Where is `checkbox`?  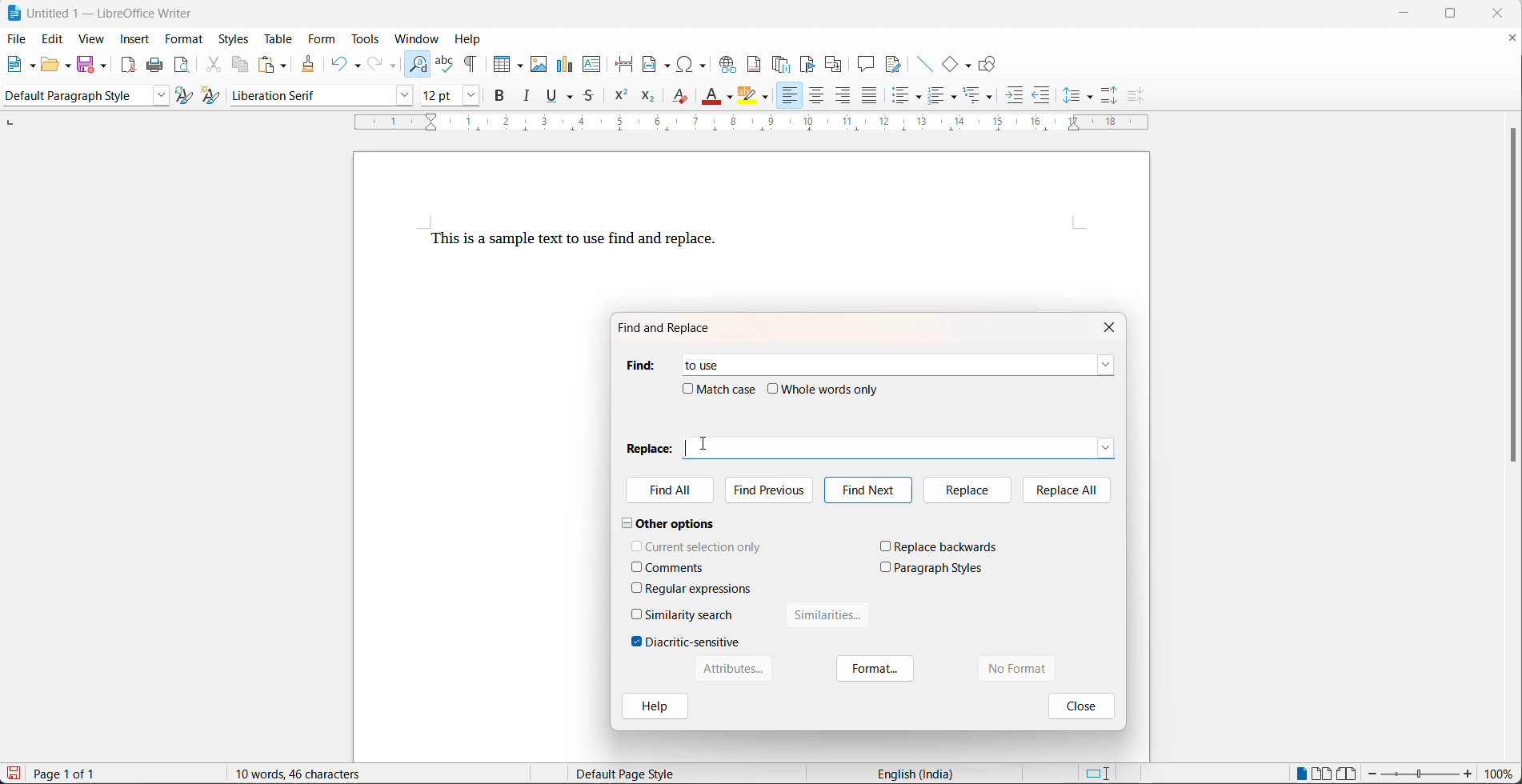
checkbox is located at coordinates (637, 566).